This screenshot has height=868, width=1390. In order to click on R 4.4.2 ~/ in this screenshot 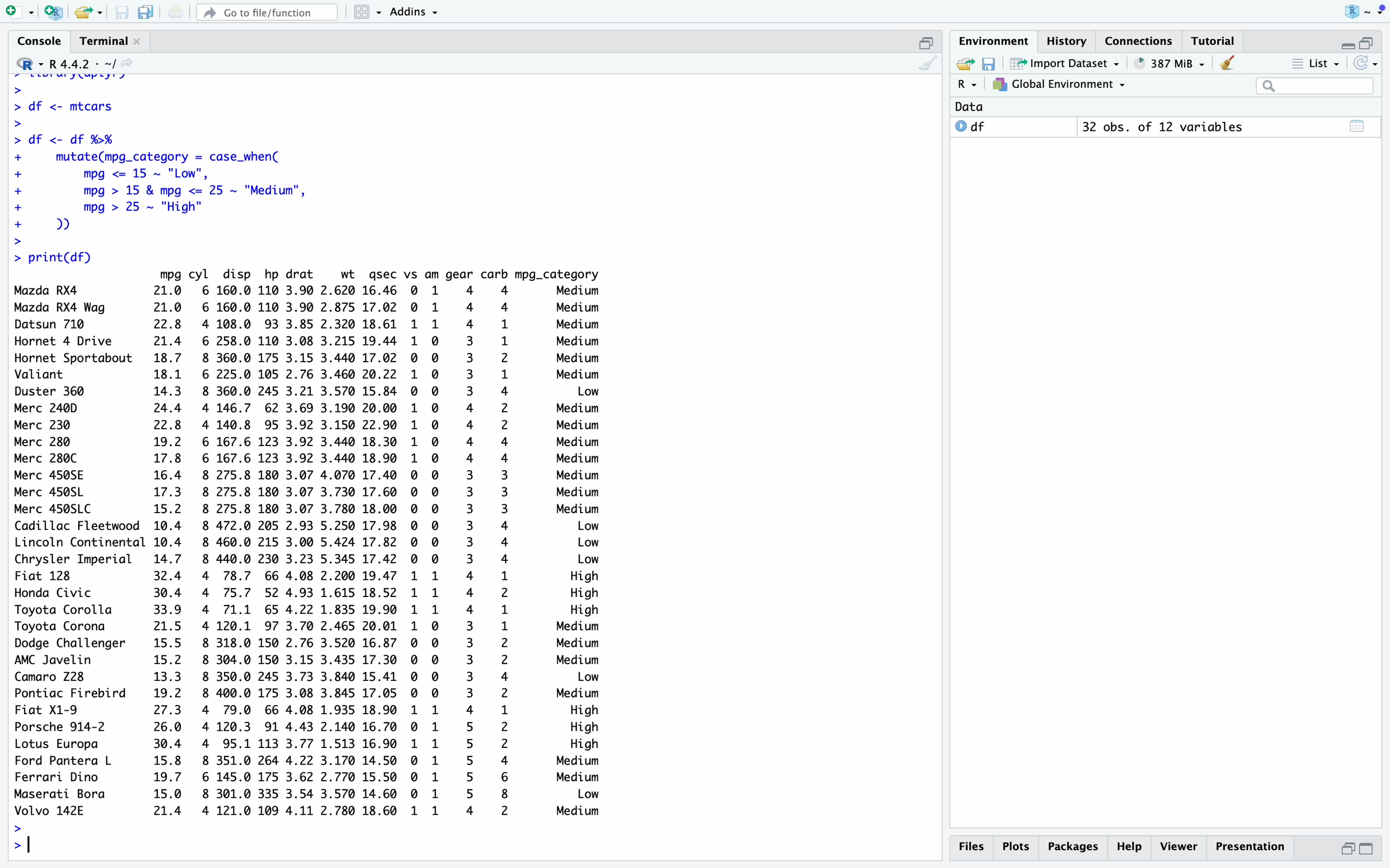, I will do `click(84, 64)`.